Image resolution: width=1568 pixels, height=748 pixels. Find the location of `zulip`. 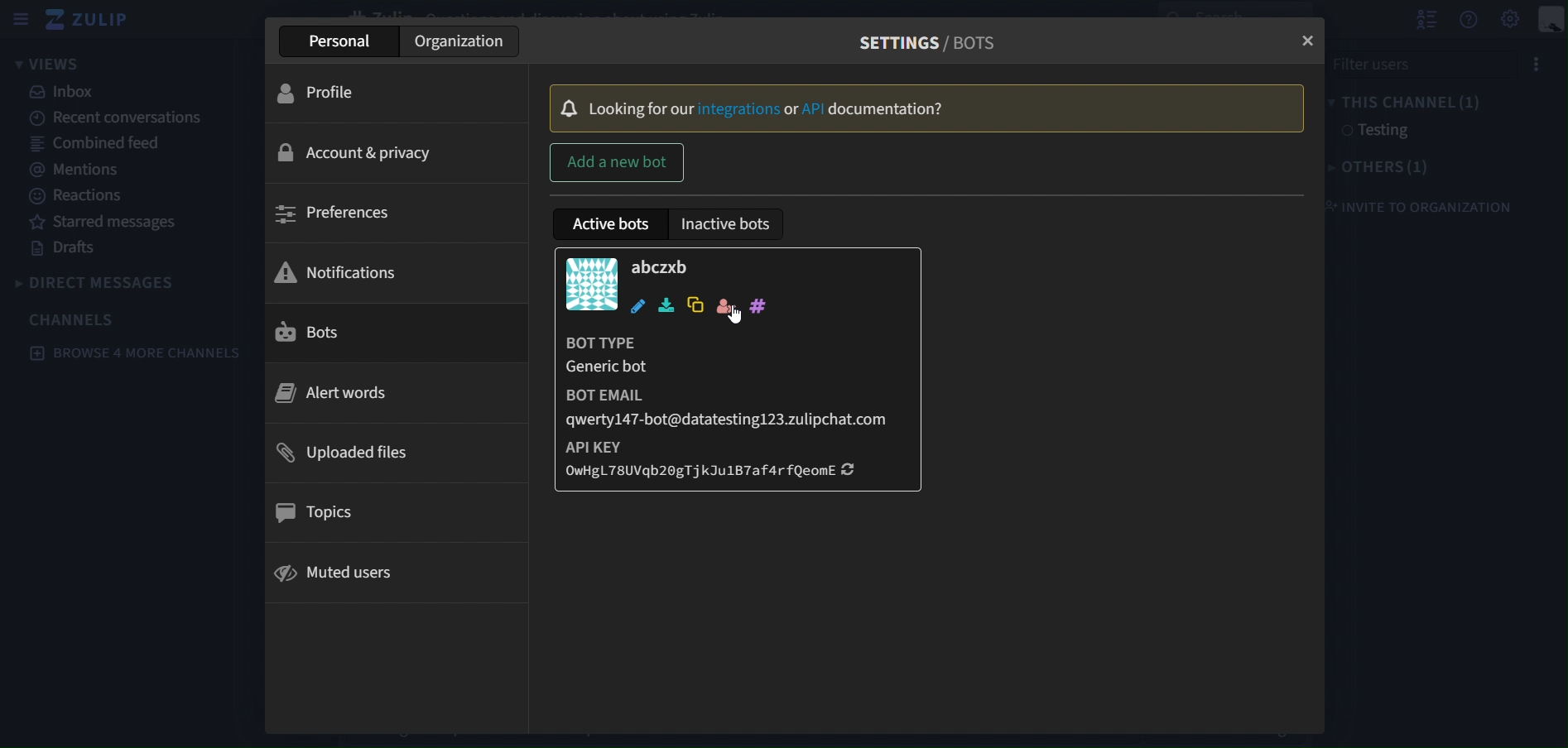

zulip is located at coordinates (89, 18).